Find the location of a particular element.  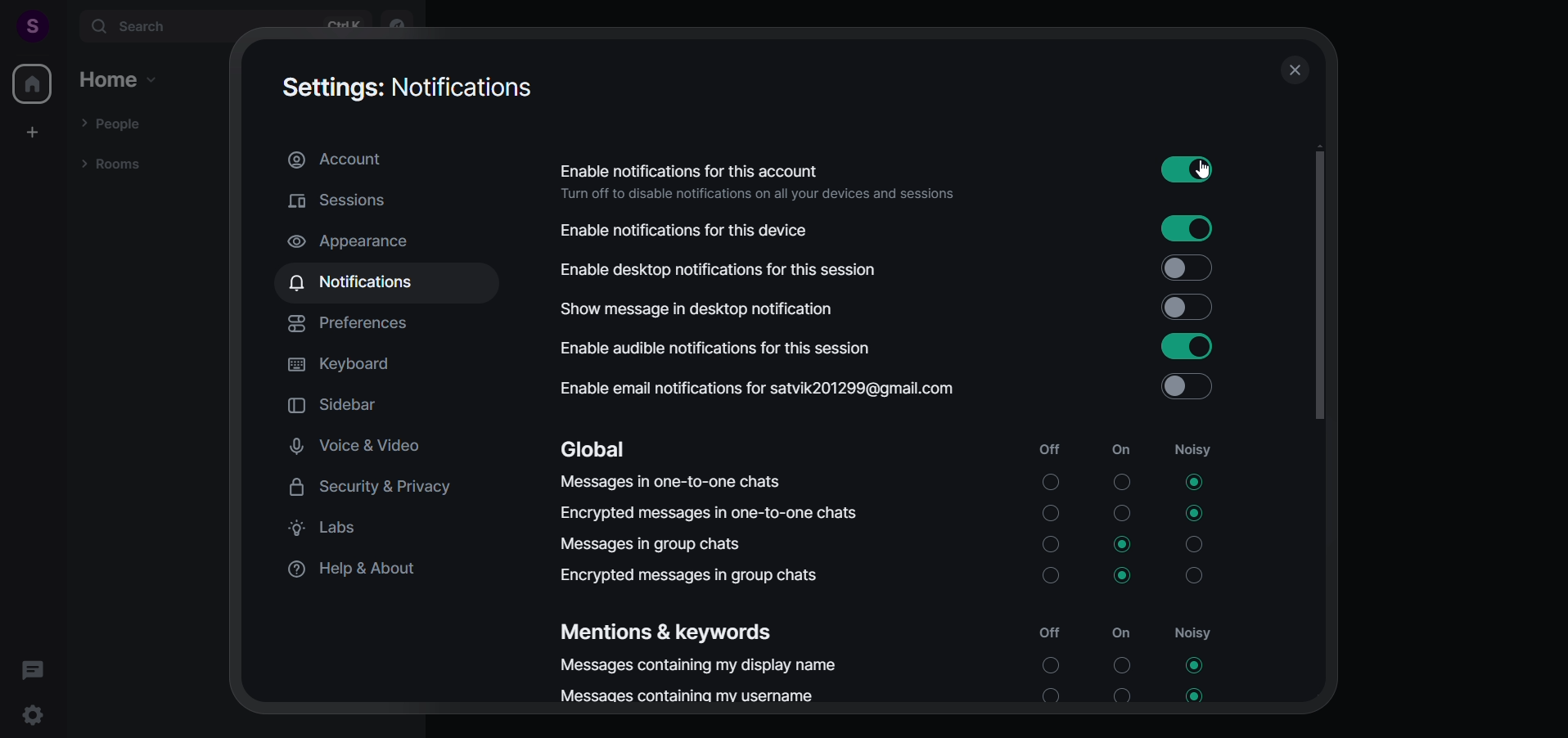

search bar is located at coordinates (224, 27).